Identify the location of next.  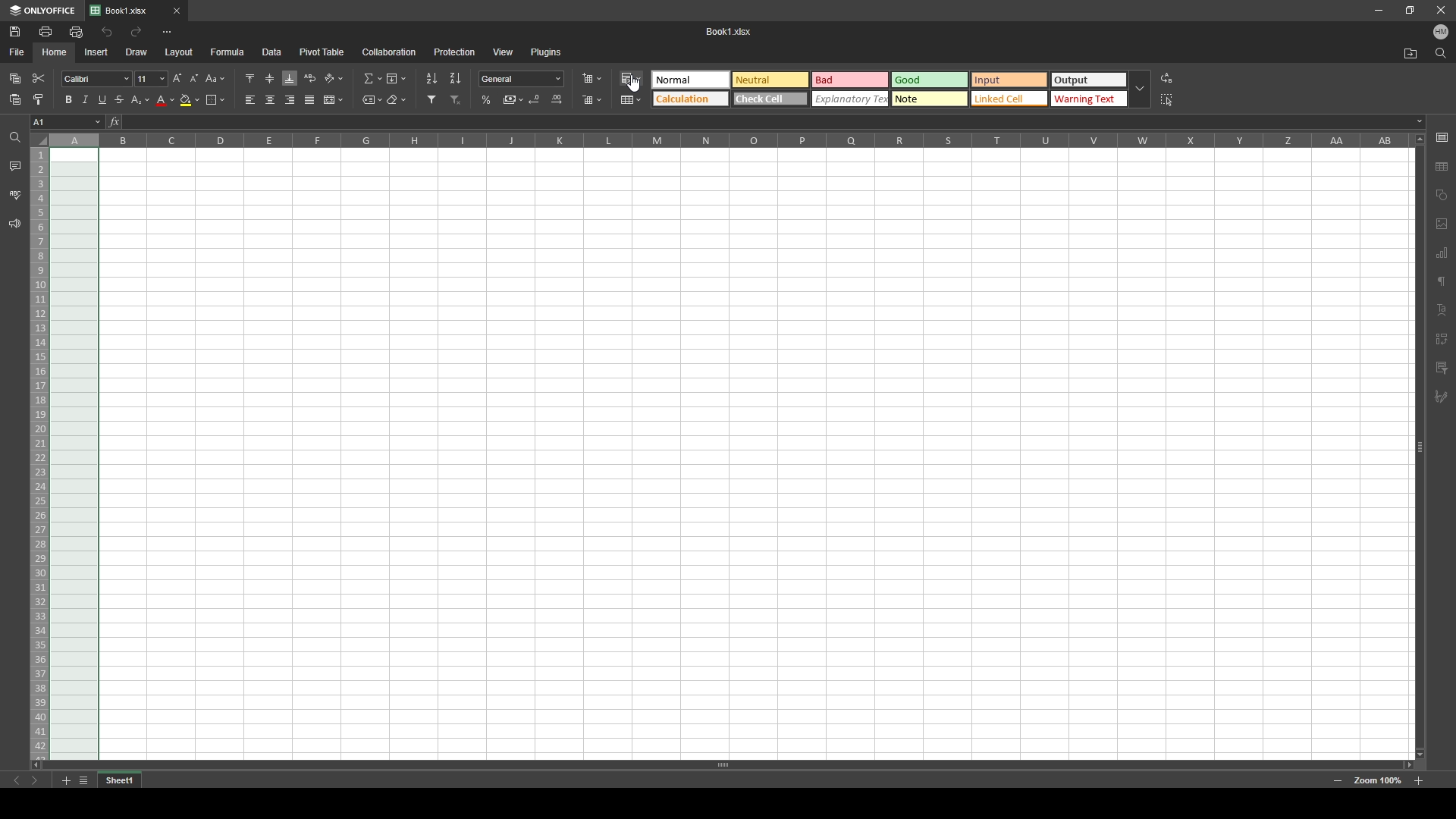
(35, 781).